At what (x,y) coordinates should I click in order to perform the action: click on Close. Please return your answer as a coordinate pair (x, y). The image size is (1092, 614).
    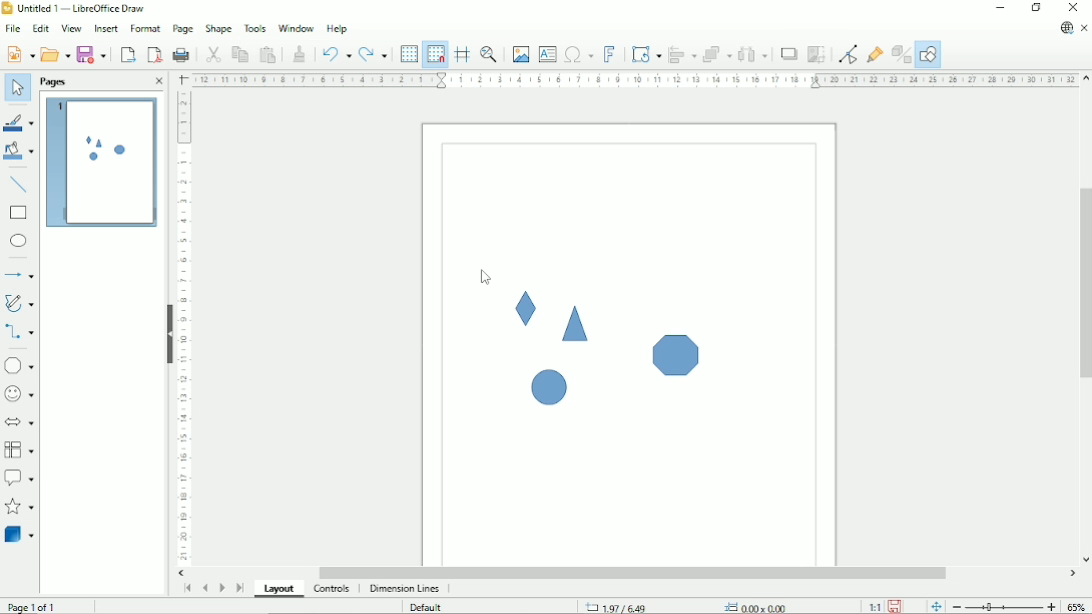
    Looking at the image, I should click on (156, 81).